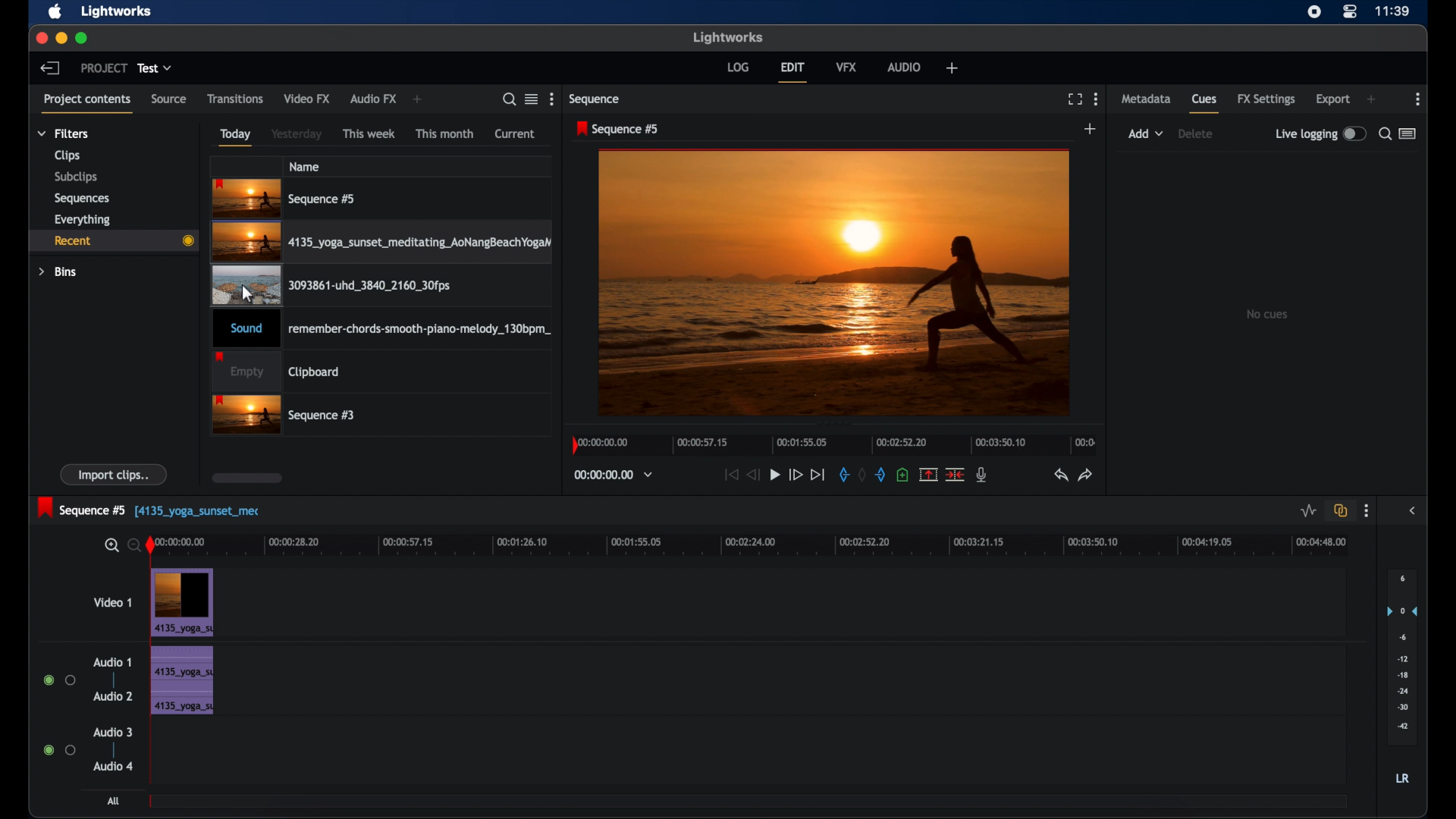  What do you see at coordinates (82, 38) in the screenshot?
I see `maximize` at bounding box center [82, 38].